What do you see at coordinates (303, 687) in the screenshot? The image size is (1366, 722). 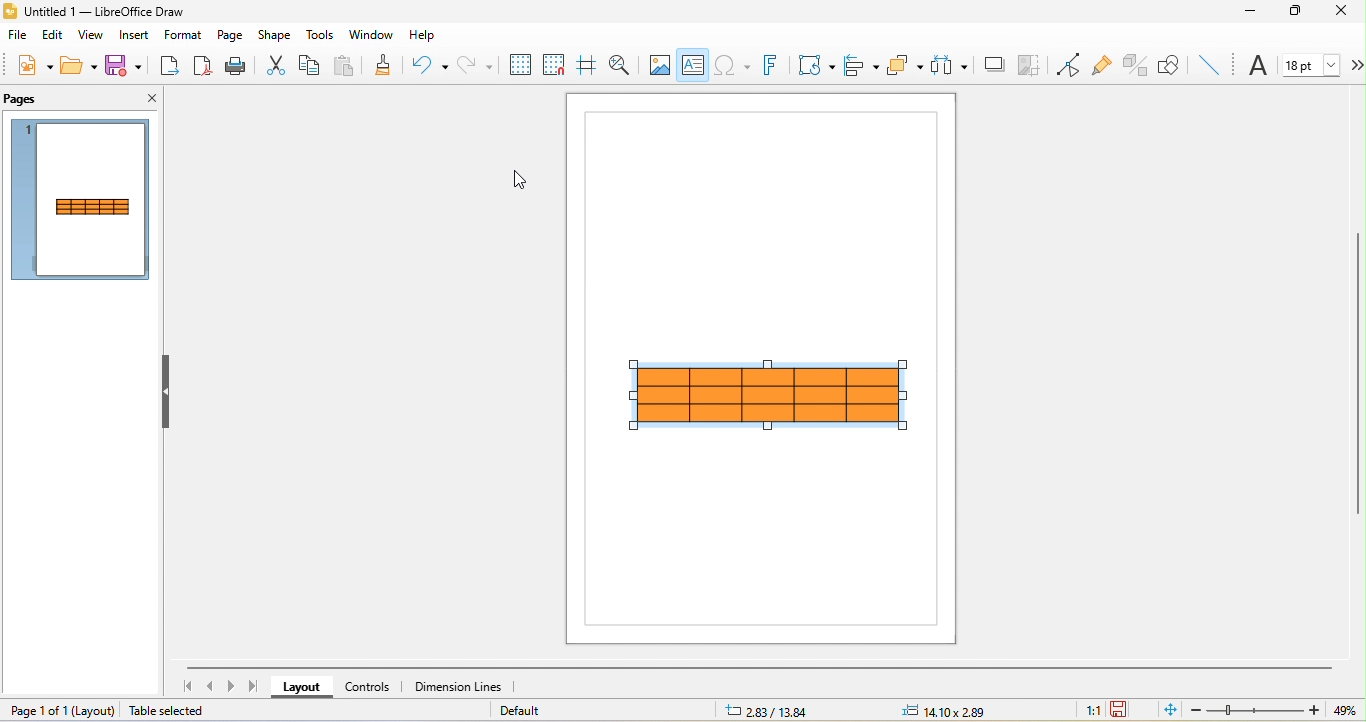 I see `layout` at bounding box center [303, 687].